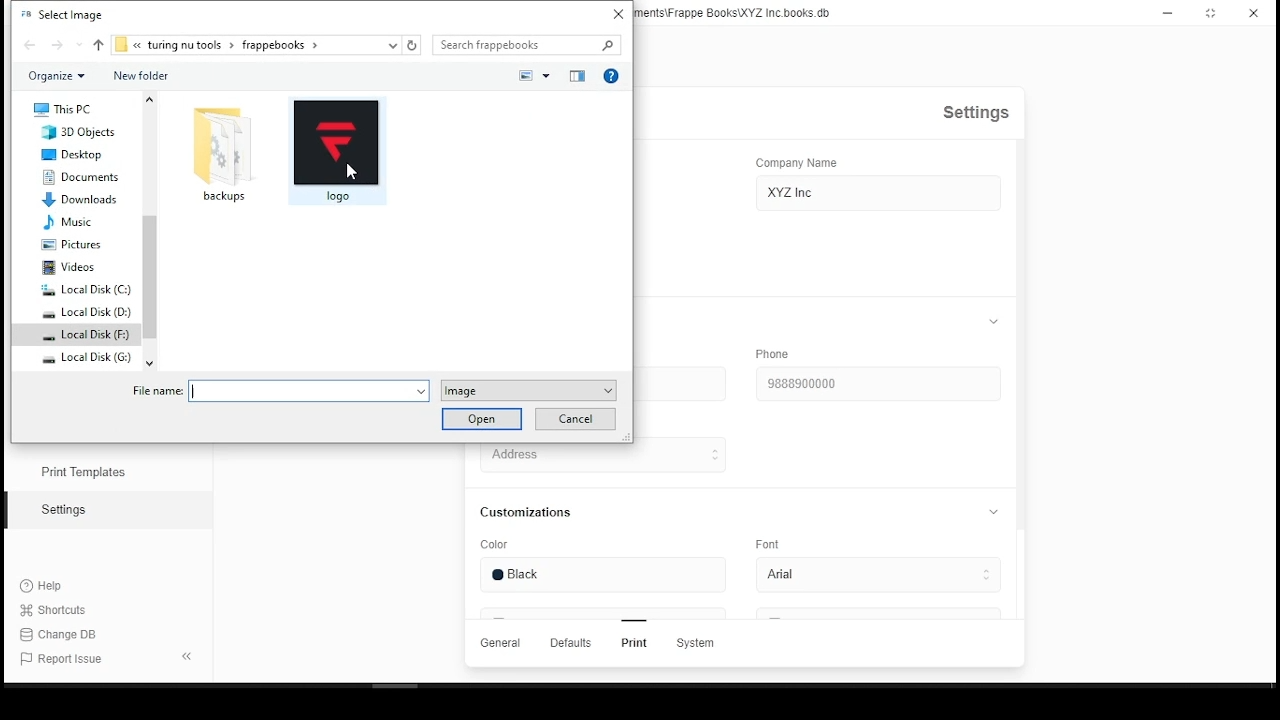  What do you see at coordinates (84, 357) in the screenshot?
I see `local disk (G:)` at bounding box center [84, 357].